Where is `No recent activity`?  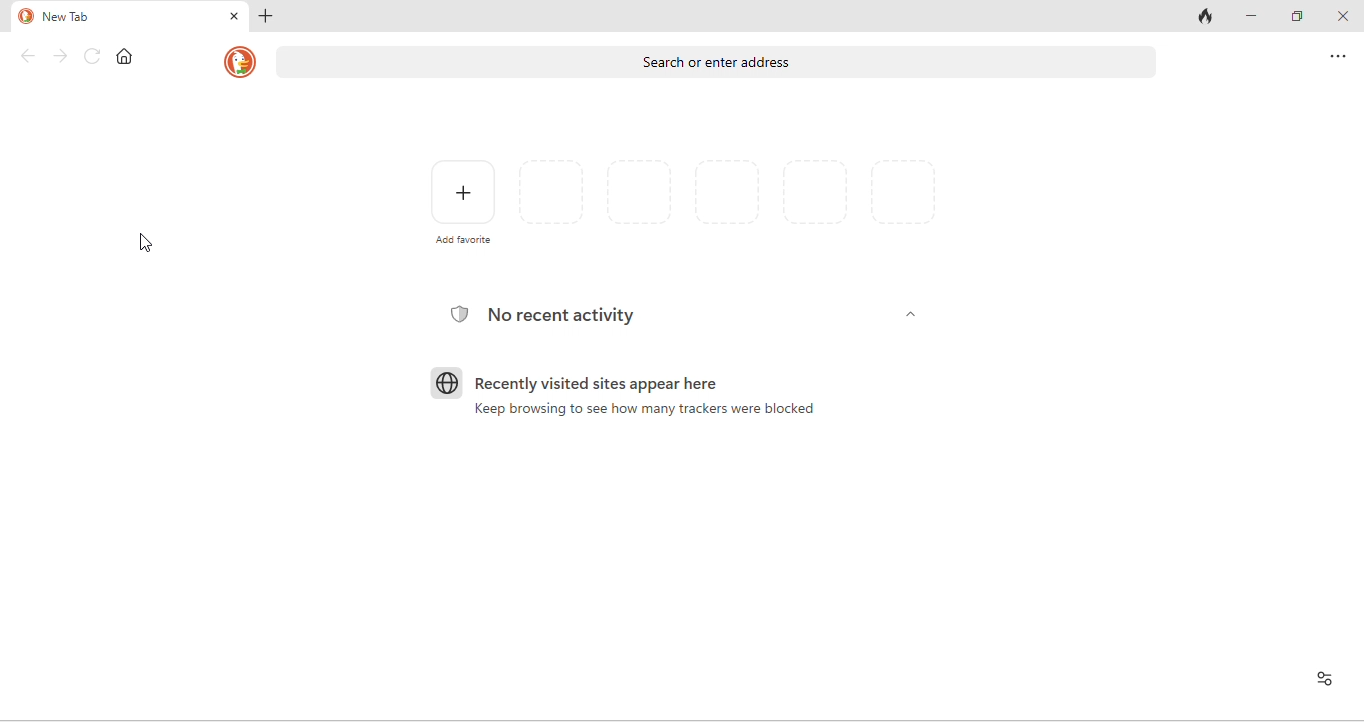
No recent activity is located at coordinates (564, 314).